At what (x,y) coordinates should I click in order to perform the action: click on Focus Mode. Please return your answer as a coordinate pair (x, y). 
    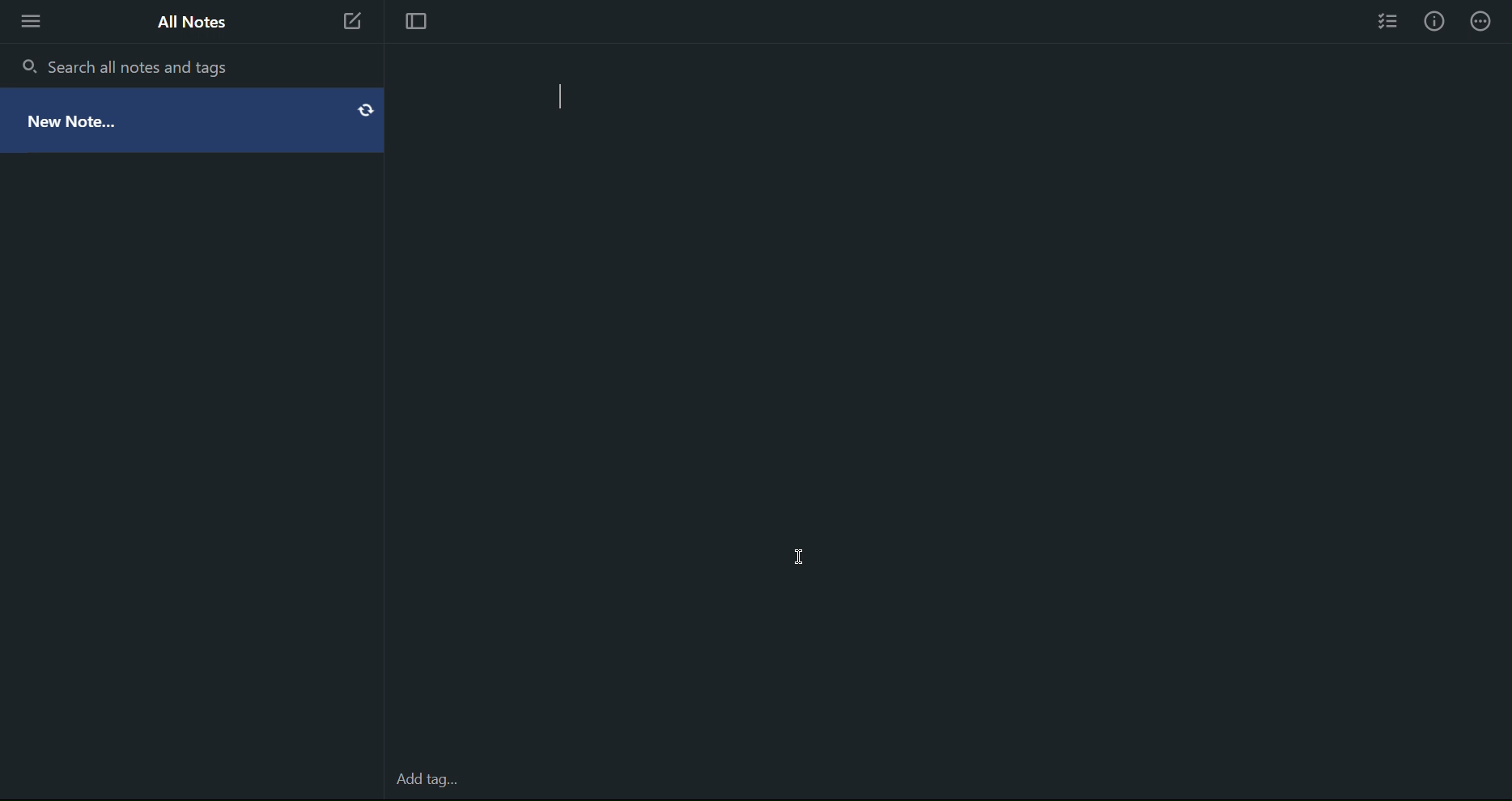
    Looking at the image, I should click on (419, 19).